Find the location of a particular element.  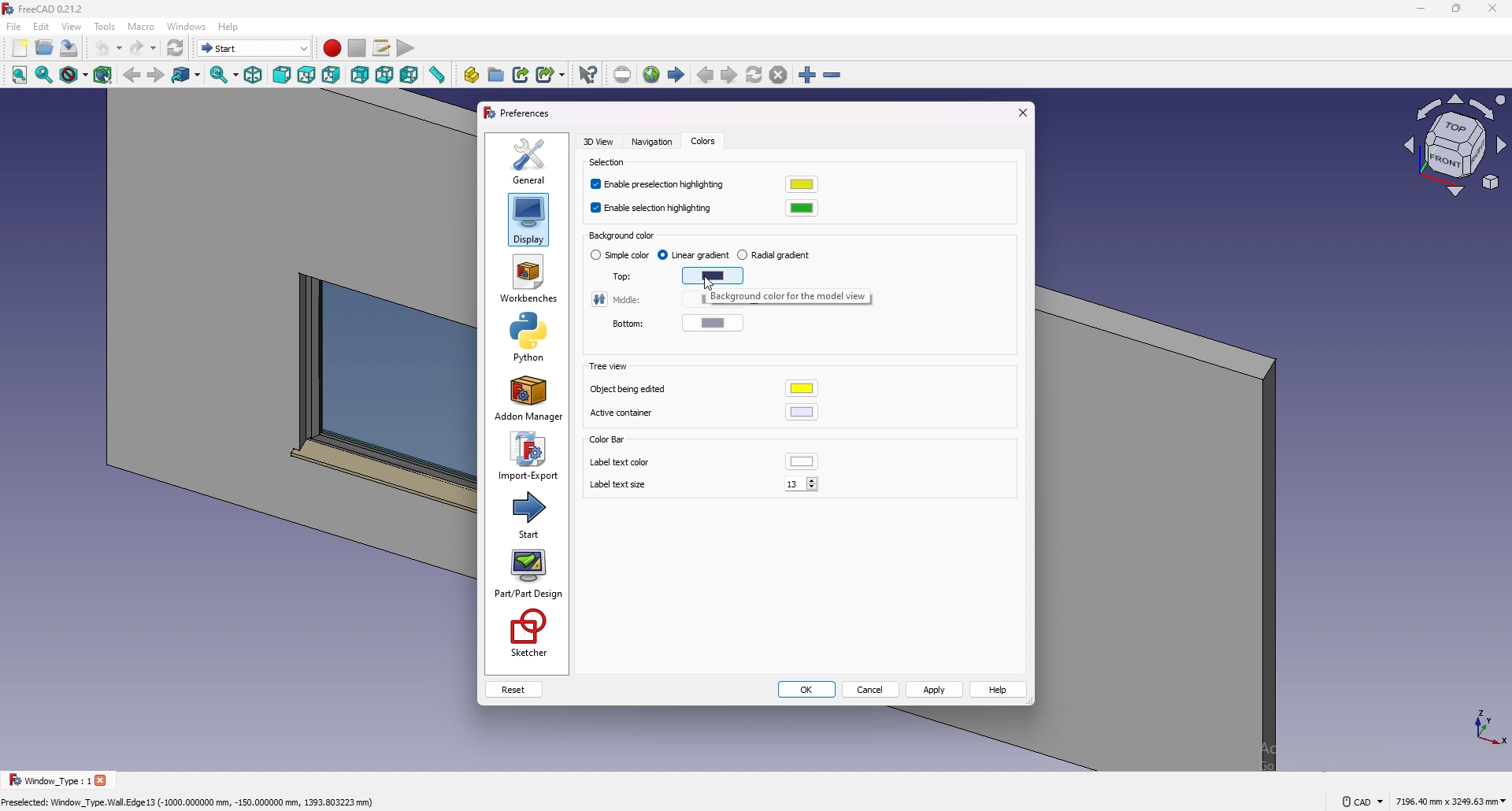

display is located at coordinates (528, 219).